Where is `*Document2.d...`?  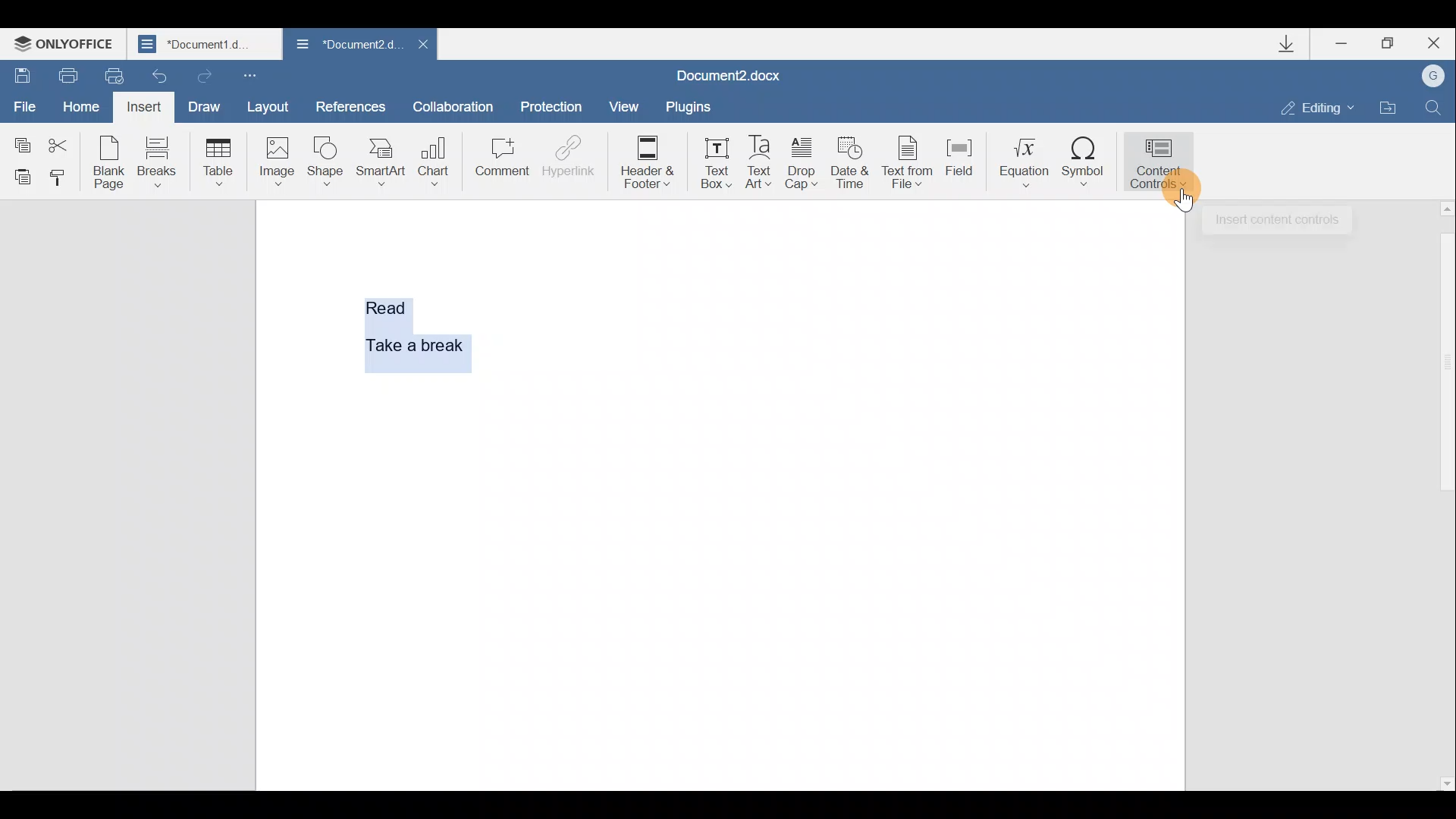 *Document2.d... is located at coordinates (345, 45).